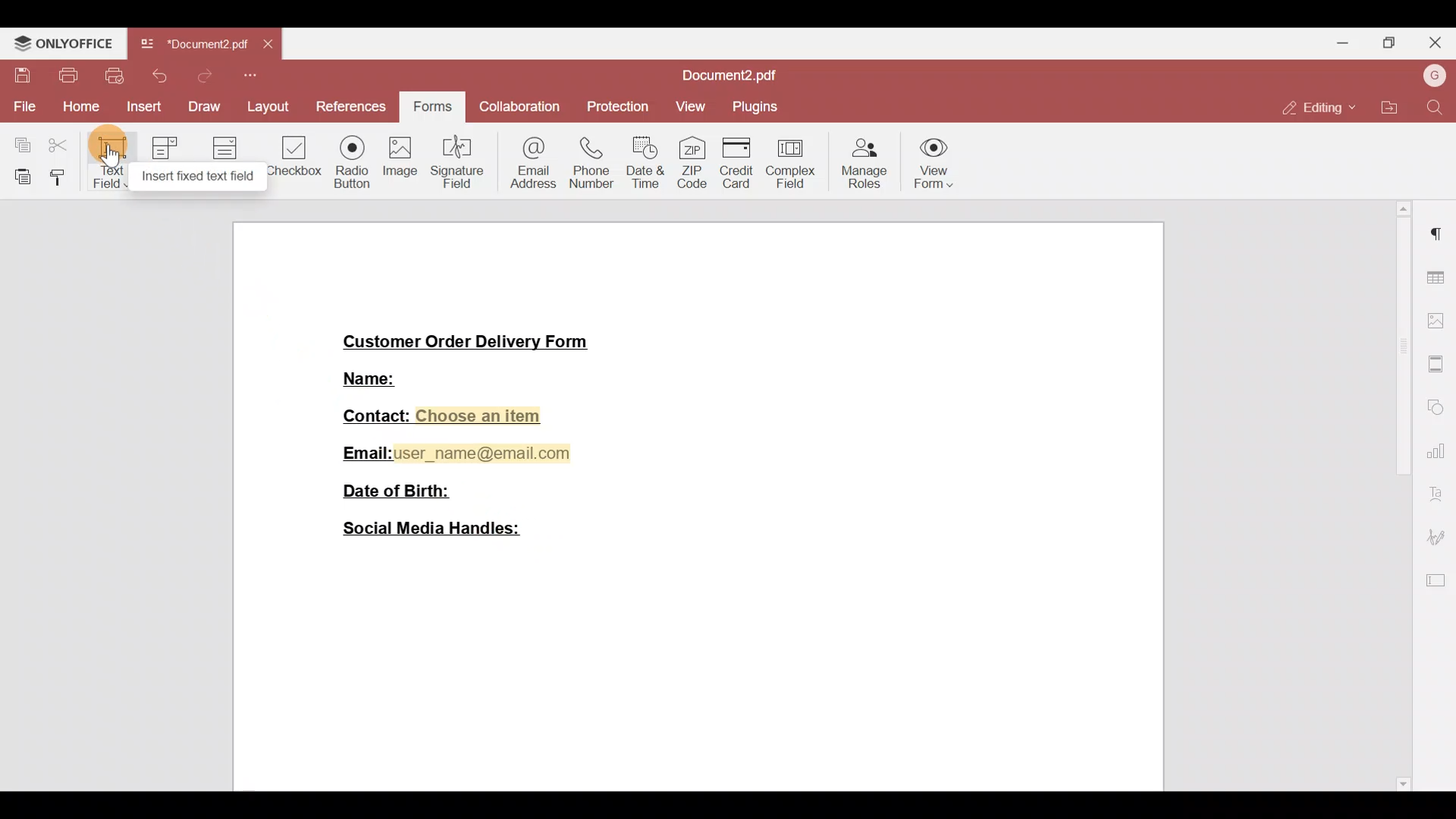 The image size is (1456, 819). I want to click on Open file location, so click(1385, 105).